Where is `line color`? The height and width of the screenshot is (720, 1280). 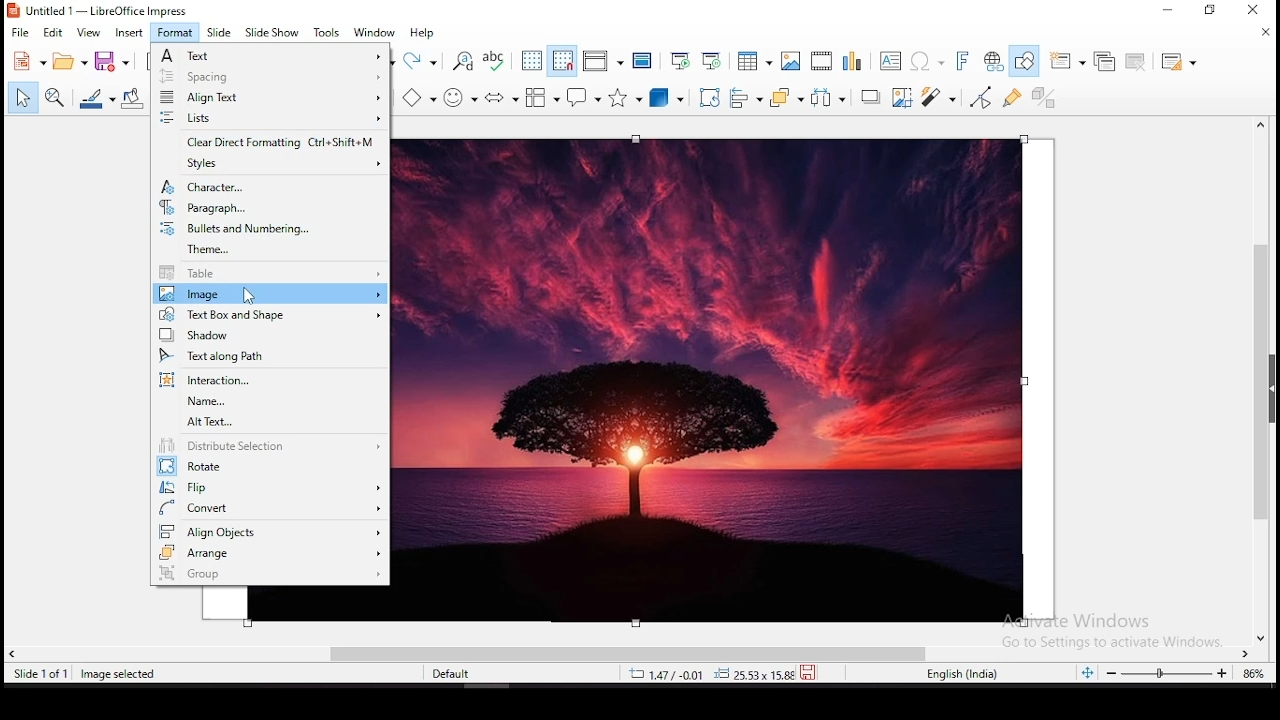
line color is located at coordinates (97, 97).